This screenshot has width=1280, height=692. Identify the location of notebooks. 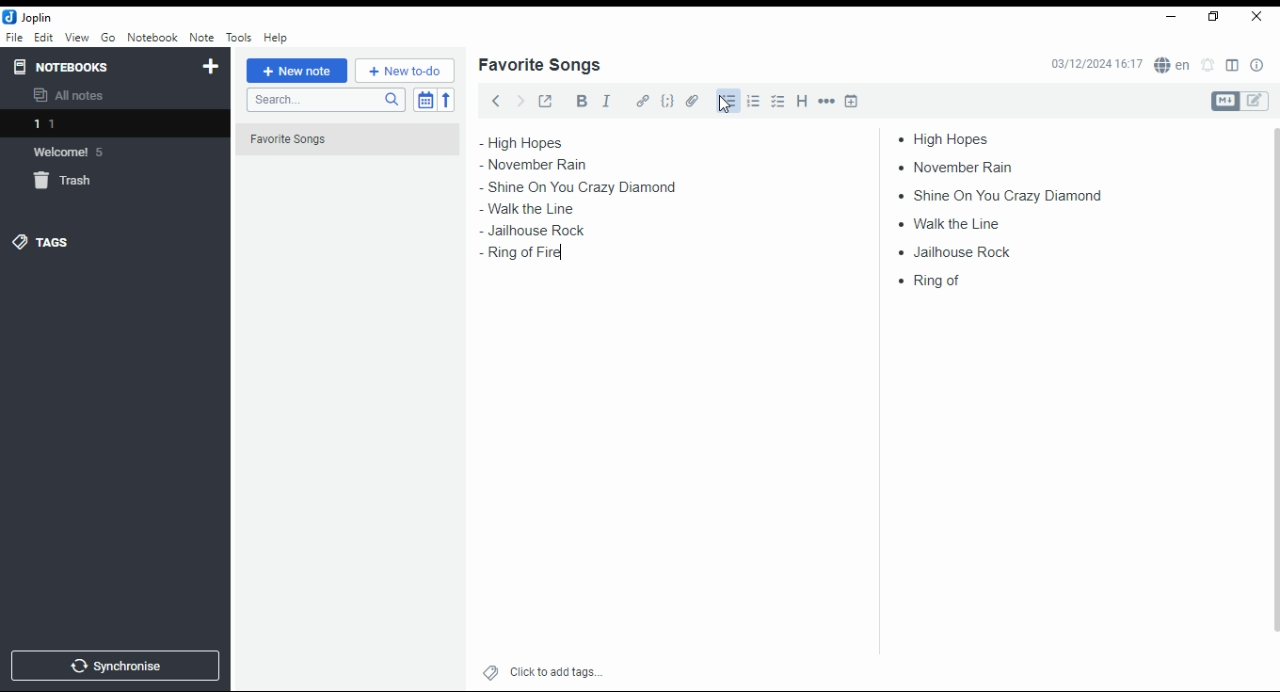
(97, 66).